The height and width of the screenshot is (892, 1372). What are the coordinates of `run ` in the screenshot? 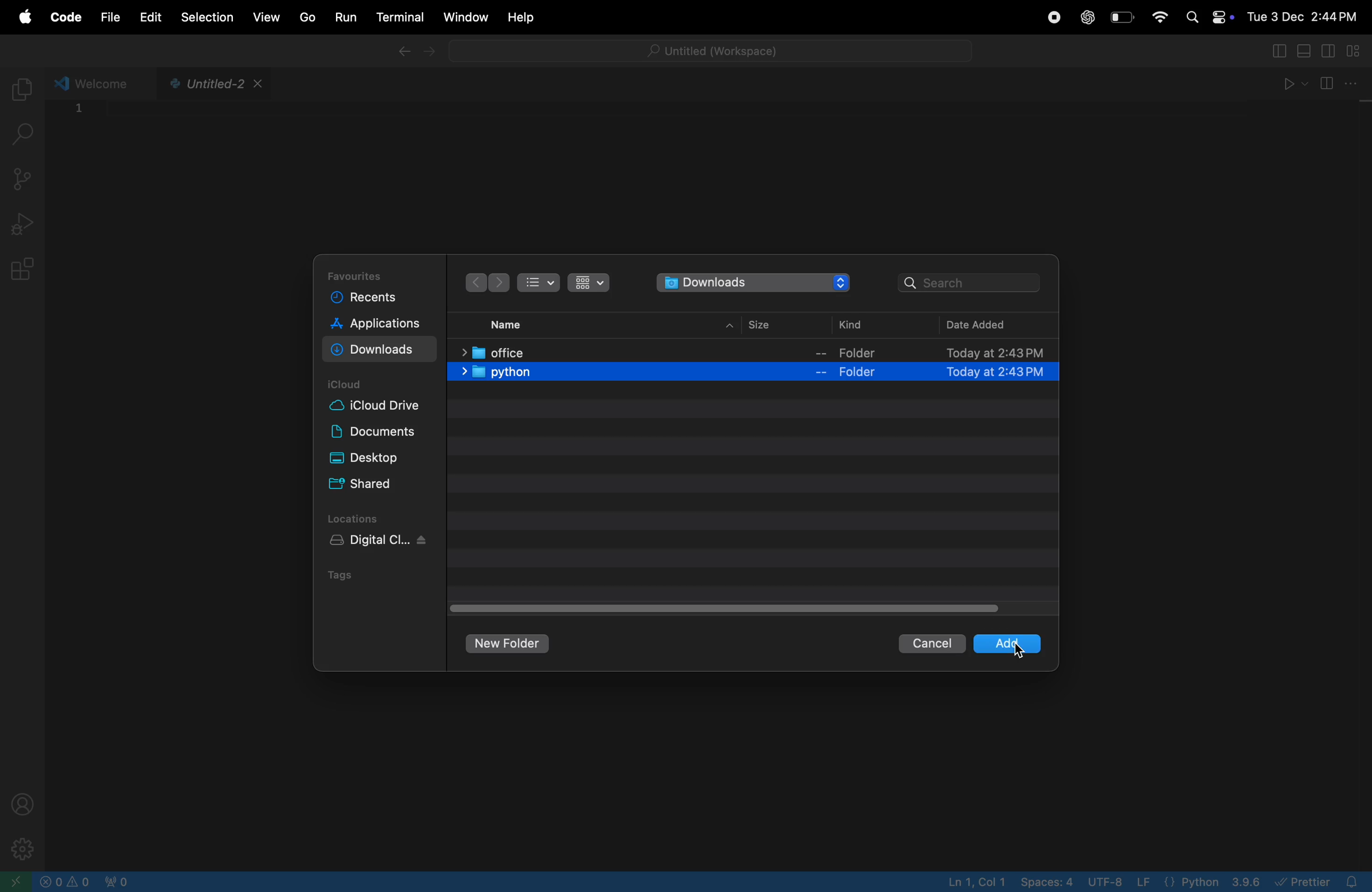 It's located at (1290, 82).